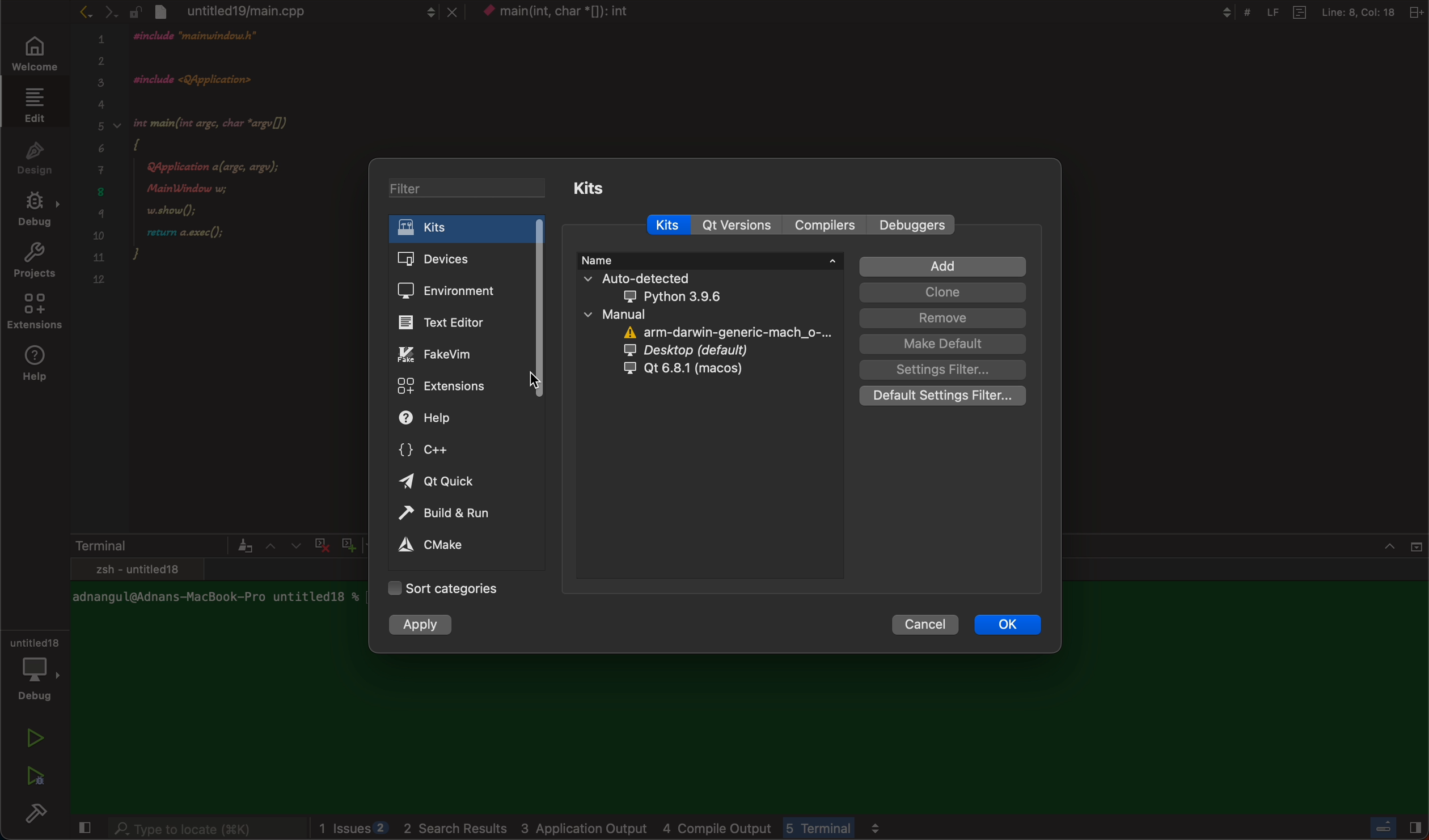  What do you see at coordinates (39, 364) in the screenshot?
I see `help` at bounding box center [39, 364].